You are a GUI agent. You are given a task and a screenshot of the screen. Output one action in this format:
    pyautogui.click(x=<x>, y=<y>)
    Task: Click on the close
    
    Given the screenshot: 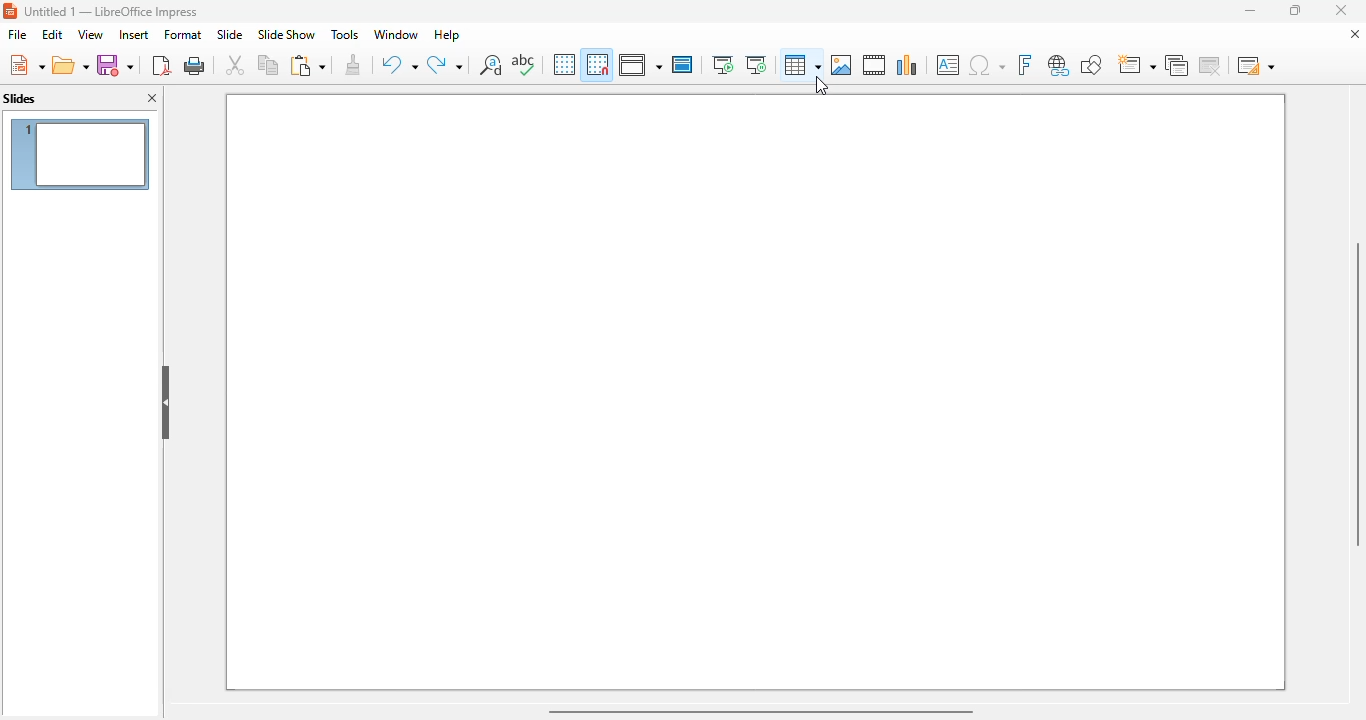 What is the action you would take?
    pyautogui.click(x=1340, y=9)
    